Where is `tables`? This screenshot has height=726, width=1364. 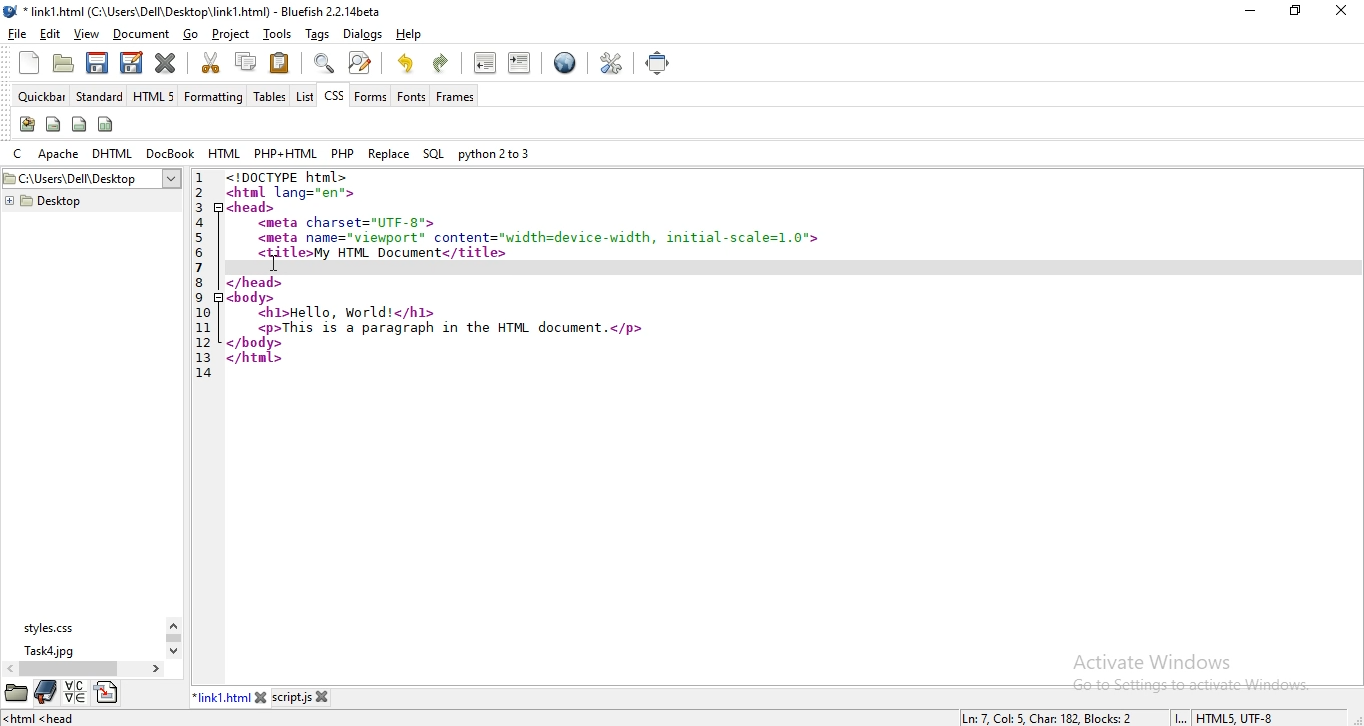
tables is located at coordinates (270, 95).